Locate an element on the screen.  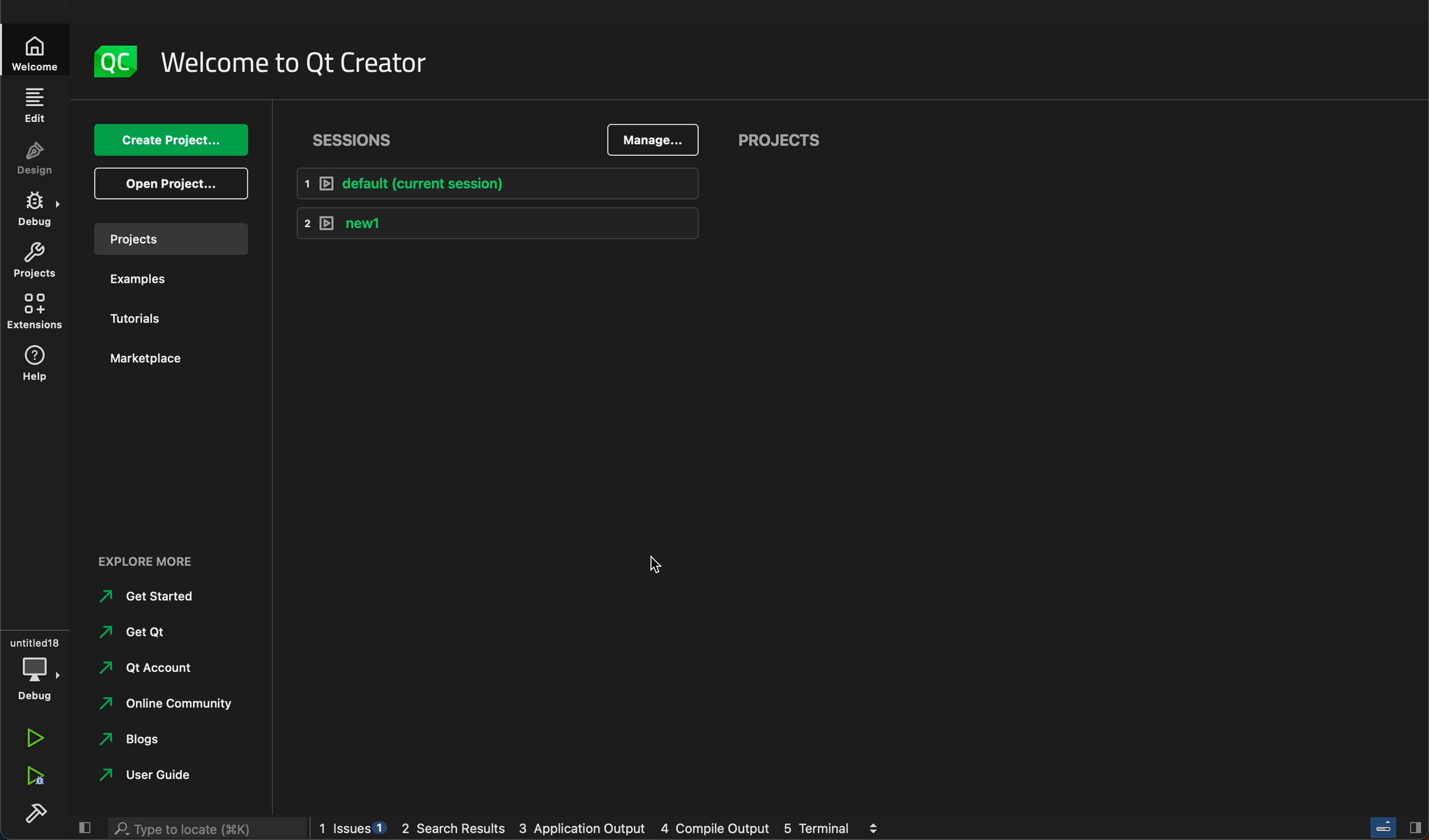
edit is located at coordinates (34, 104).